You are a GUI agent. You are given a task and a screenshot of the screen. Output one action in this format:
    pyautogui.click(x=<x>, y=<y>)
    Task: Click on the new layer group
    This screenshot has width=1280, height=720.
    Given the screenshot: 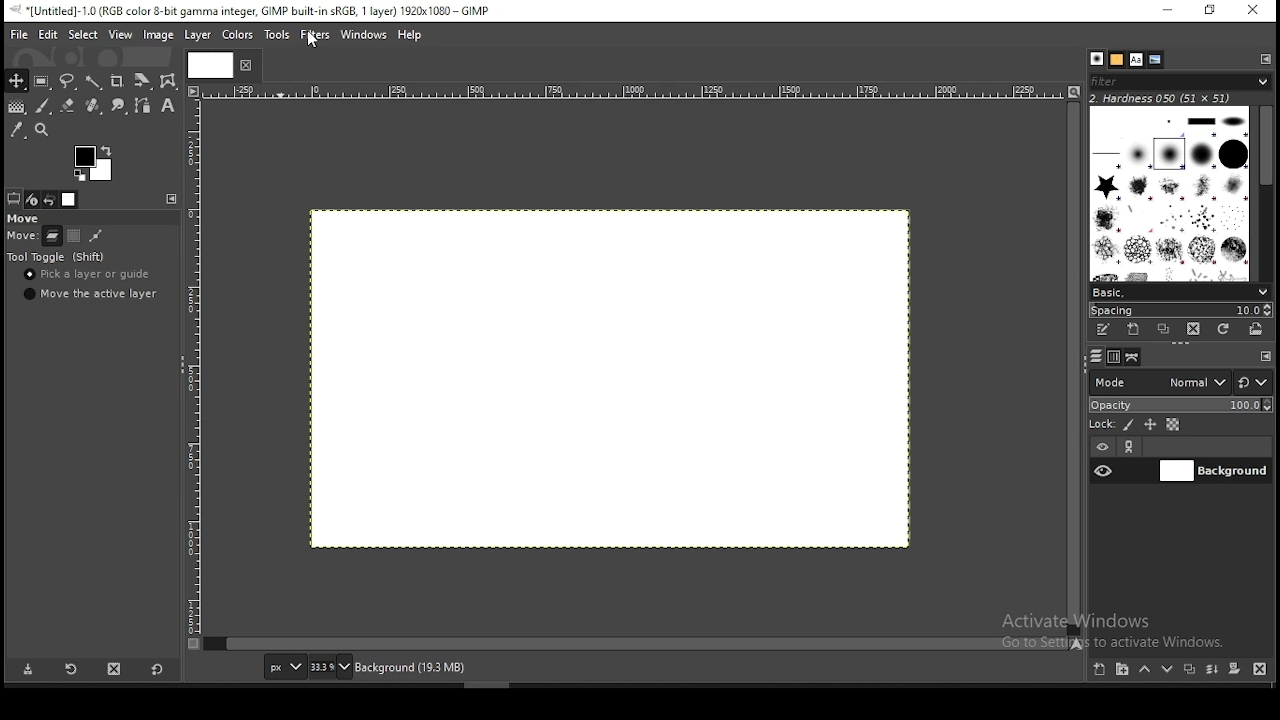 What is the action you would take?
    pyautogui.click(x=1126, y=669)
    